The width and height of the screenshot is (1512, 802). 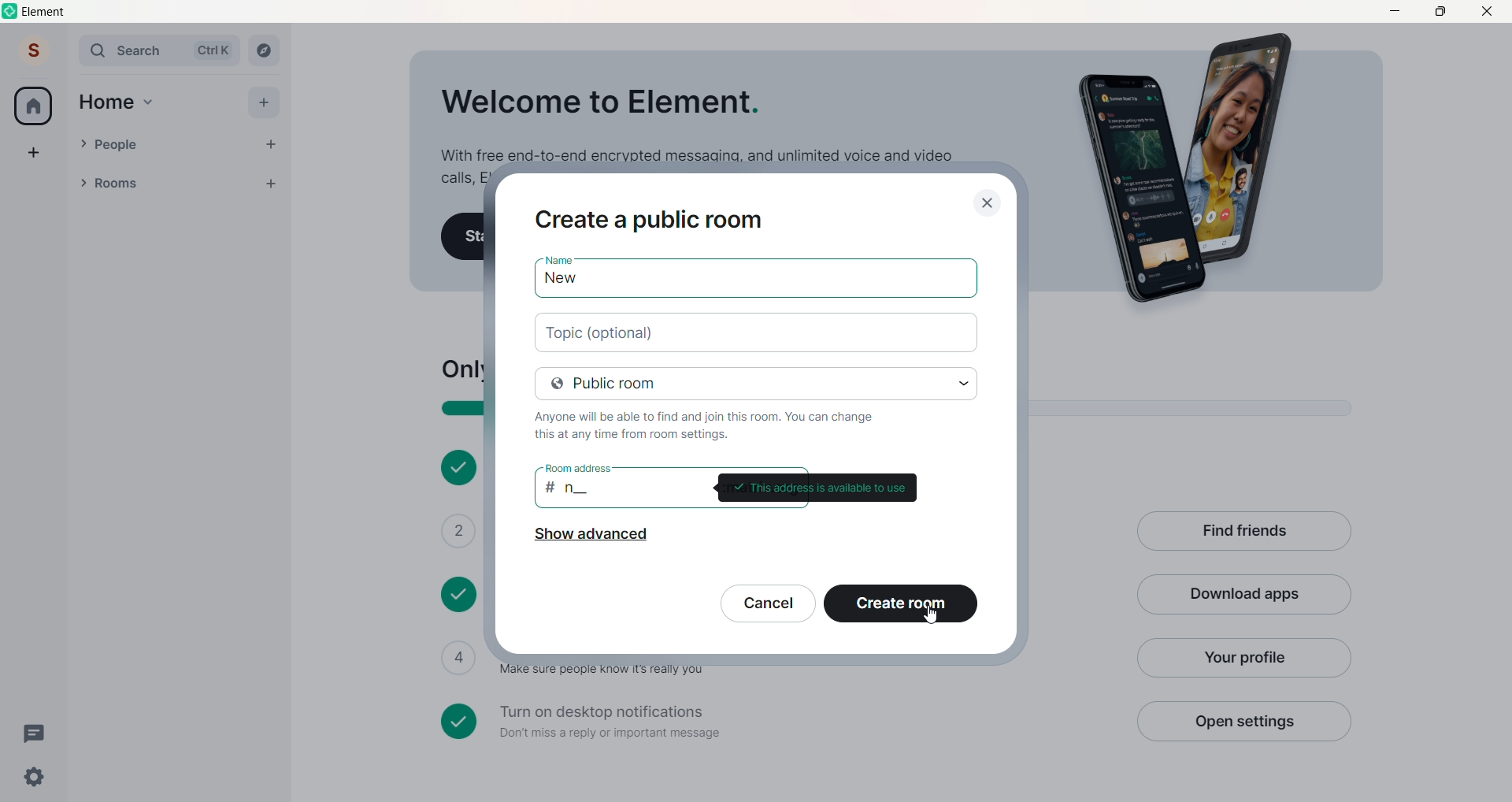 What do you see at coordinates (988, 200) in the screenshot?
I see `close` at bounding box center [988, 200].